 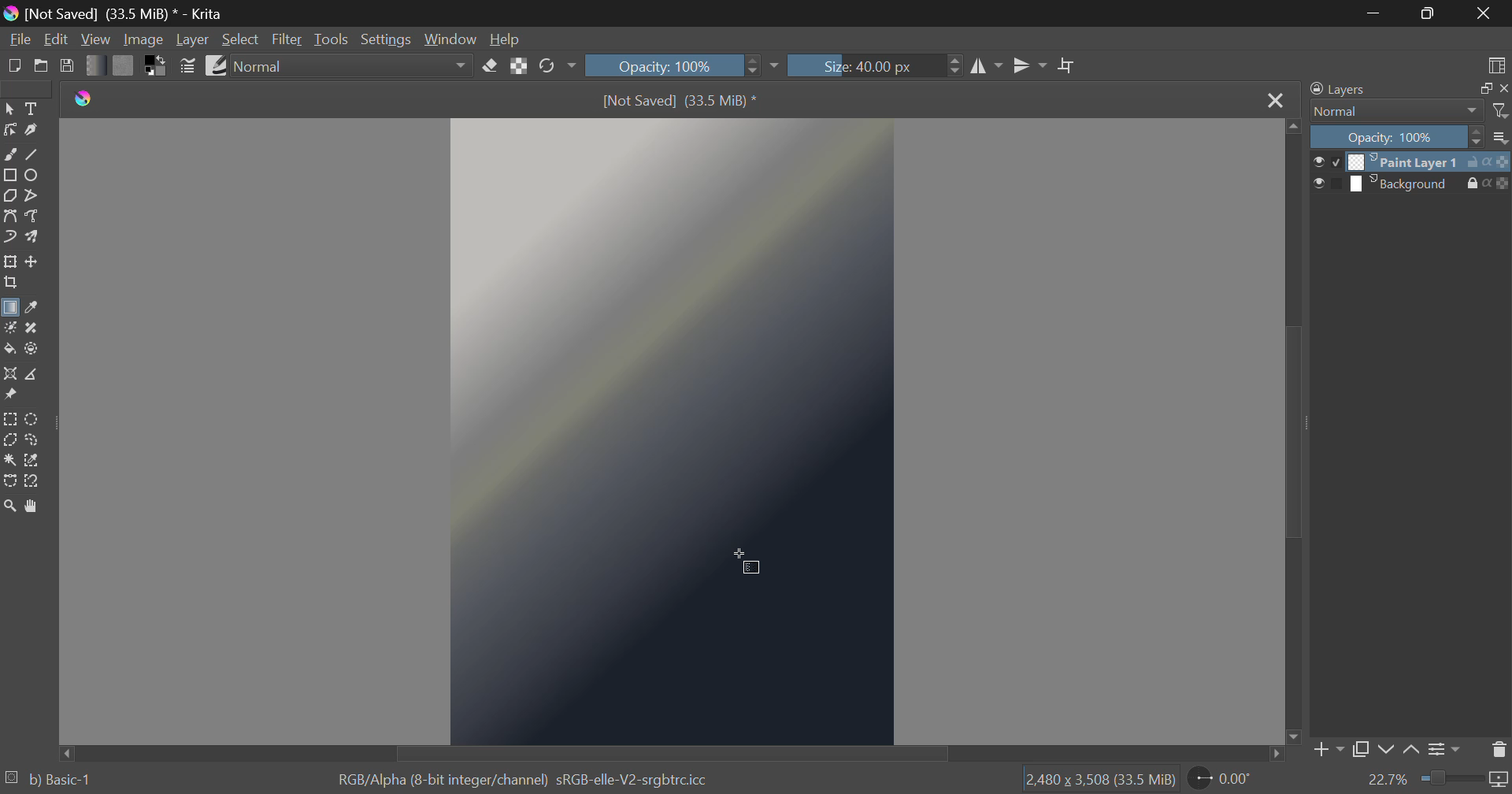 What do you see at coordinates (1395, 137) in the screenshot?
I see `Opacity 100%` at bounding box center [1395, 137].